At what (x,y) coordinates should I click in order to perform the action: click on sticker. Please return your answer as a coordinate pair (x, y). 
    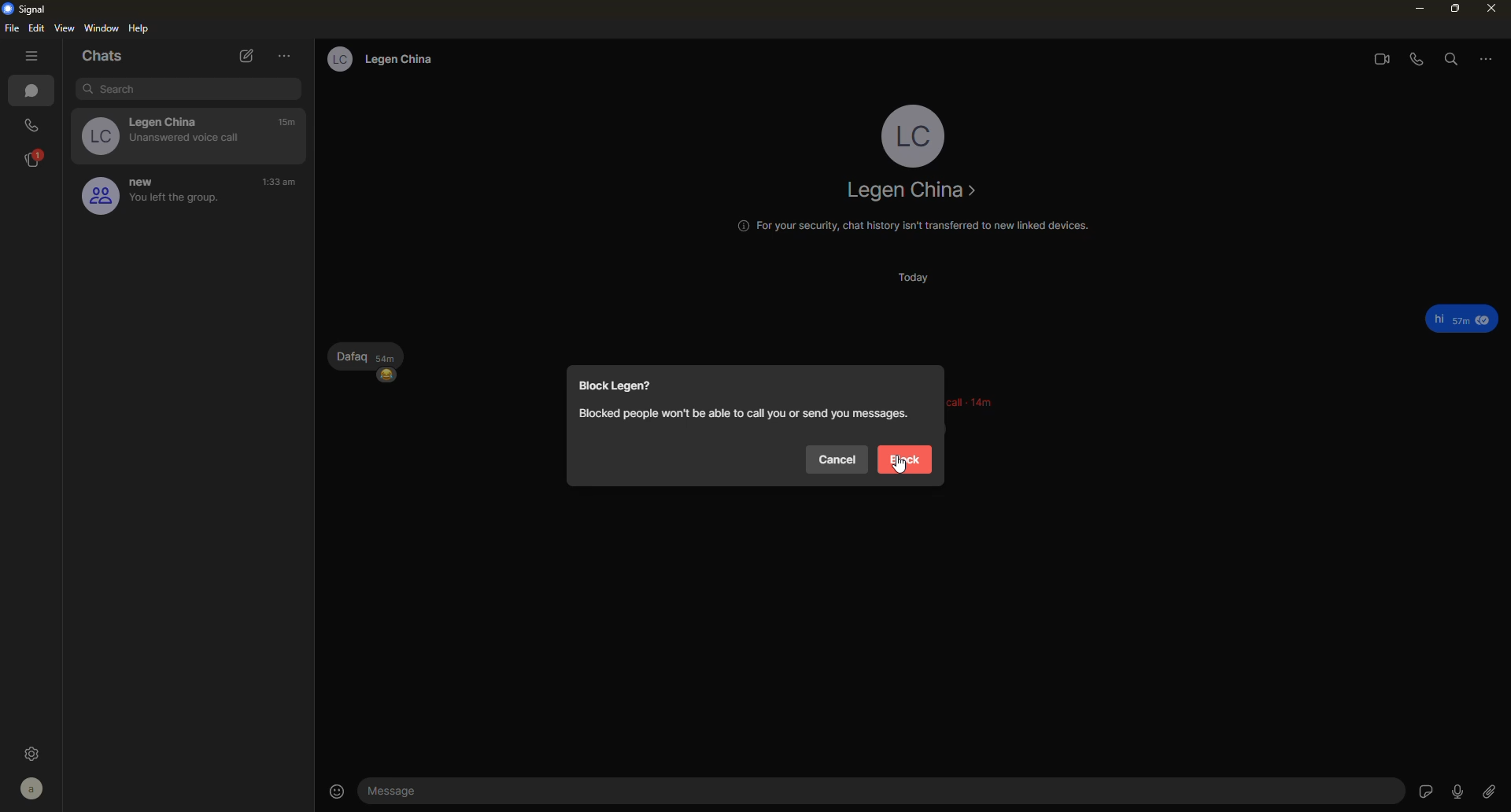
    Looking at the image, I should click on (1422, 791).